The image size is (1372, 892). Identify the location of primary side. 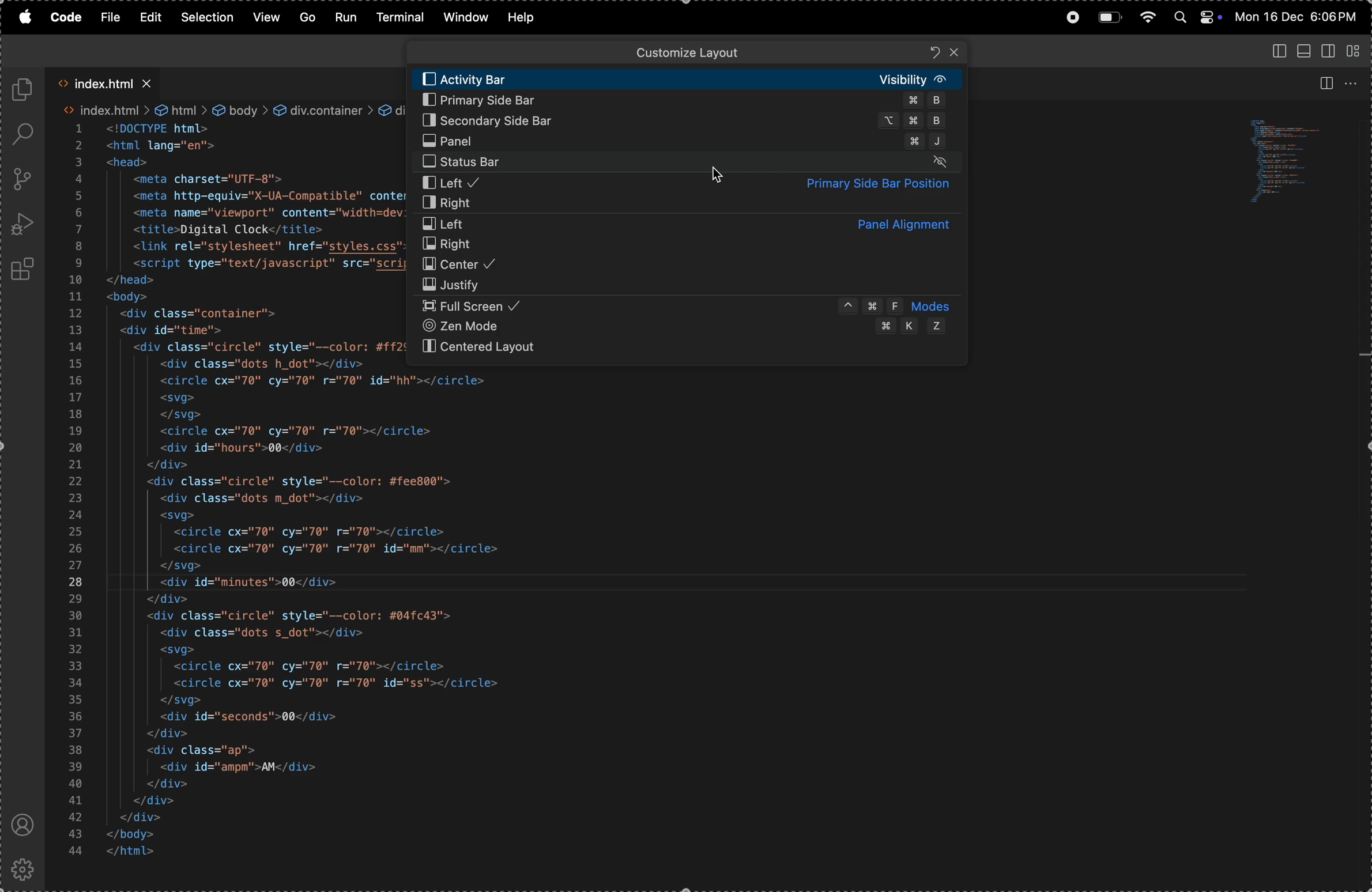
(688, 101).